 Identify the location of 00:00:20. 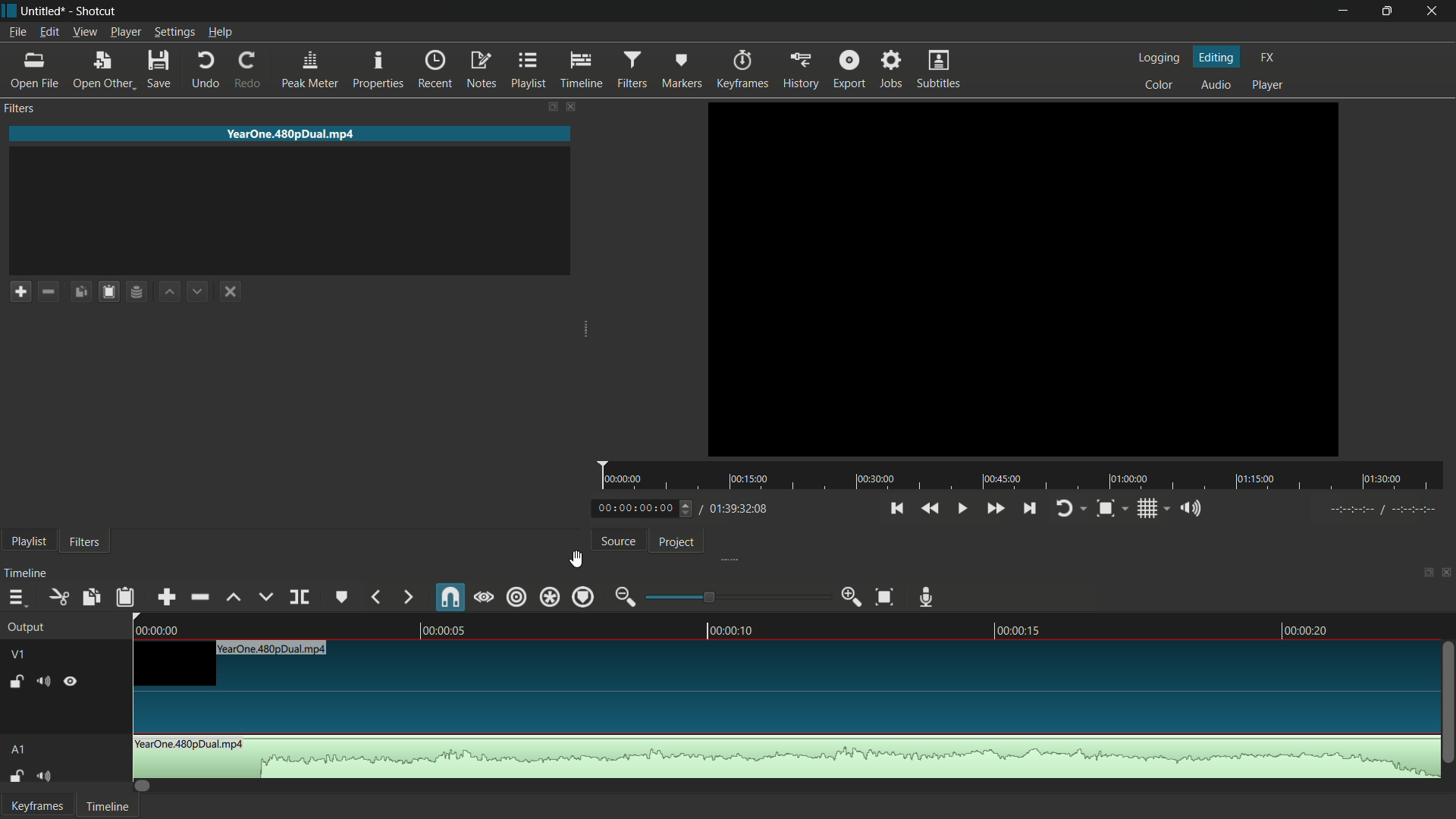
(1307, 631).